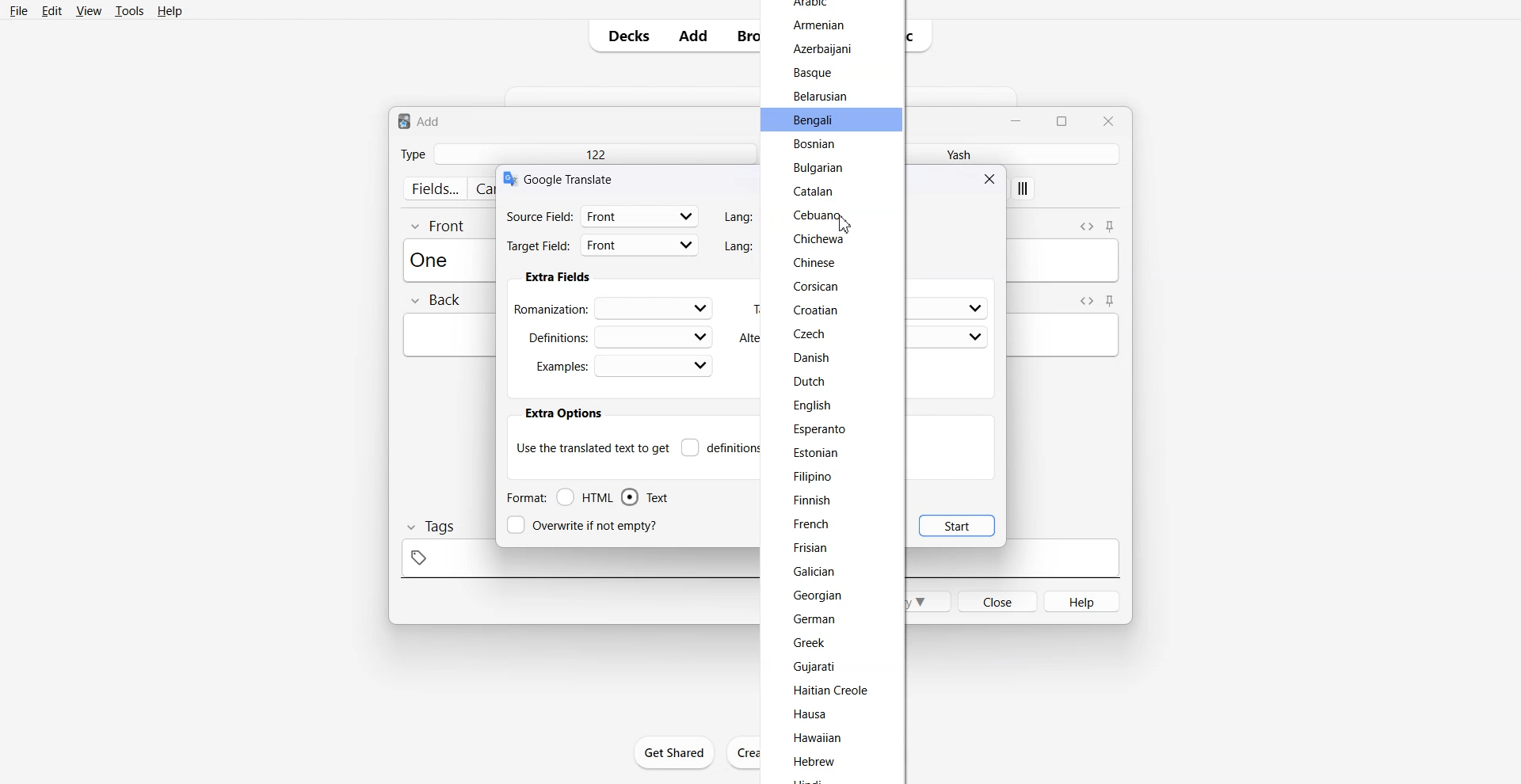 This screenshot has height=784, width=1521. I want to click on Hawaiian, so click(822, 738).